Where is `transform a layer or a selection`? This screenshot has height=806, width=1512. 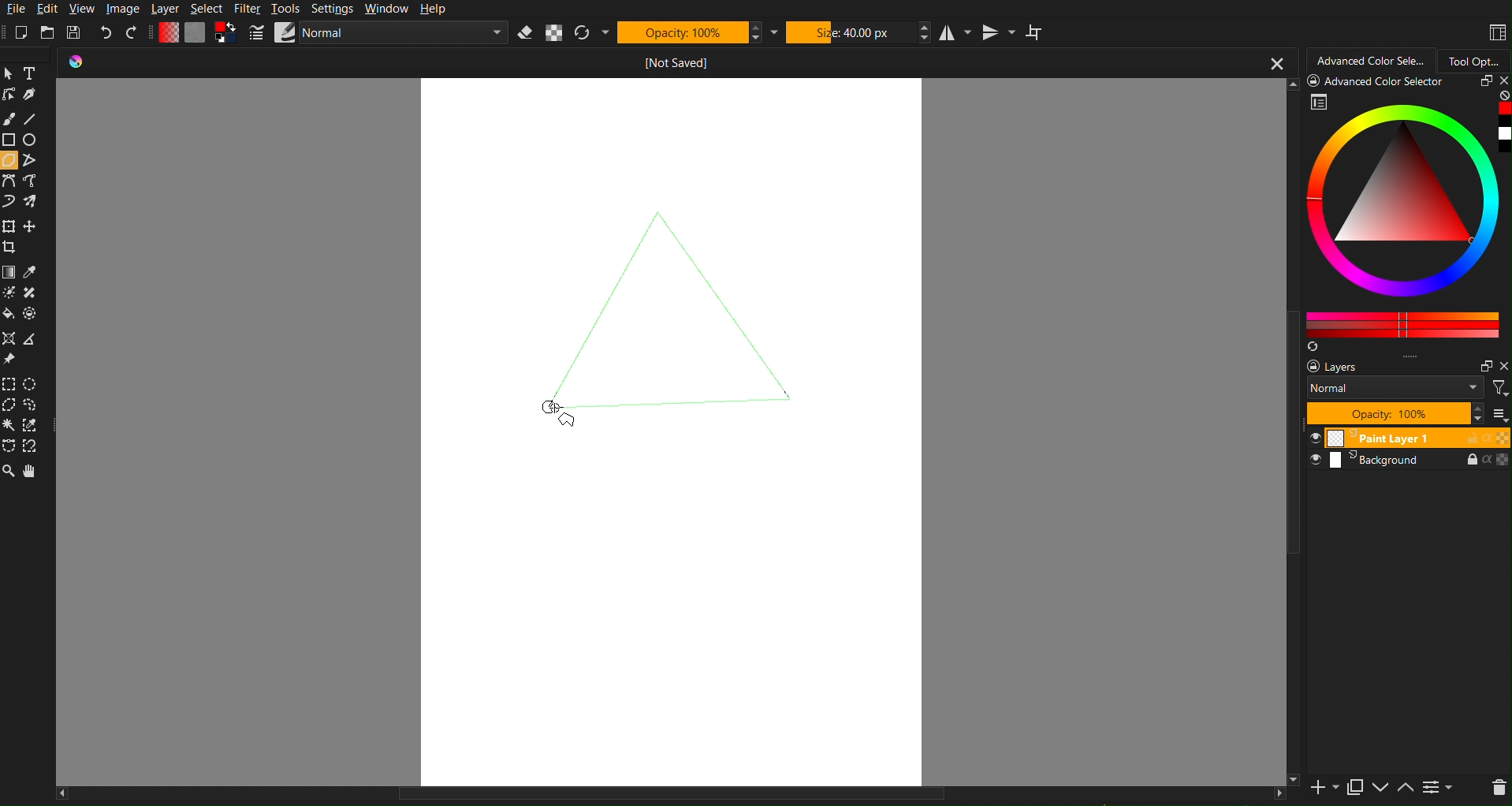 transform a layer or a selection is located at coordinates (9, 225).